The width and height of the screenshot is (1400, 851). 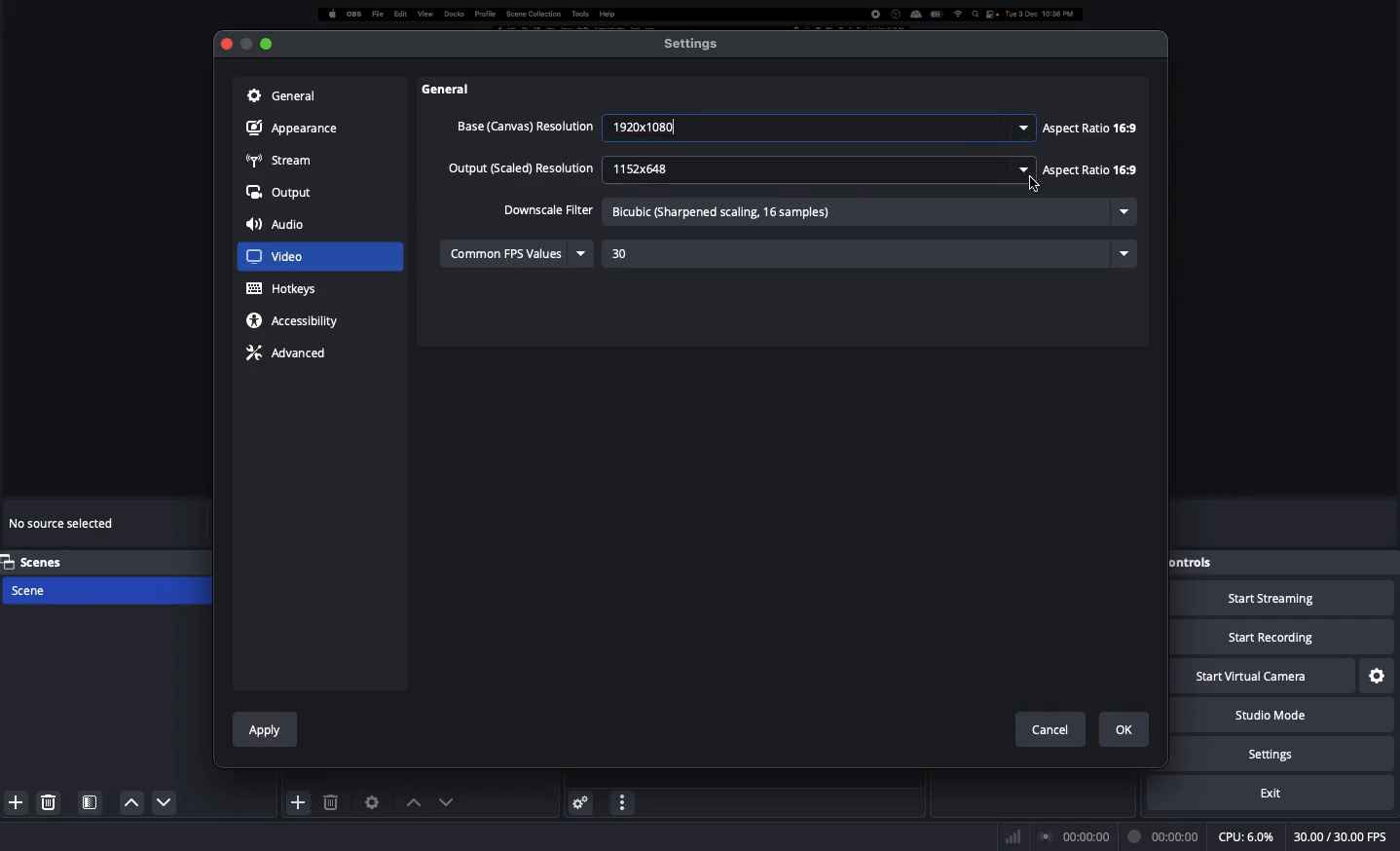 I want to click on Delete, so click(x=333, y=802).